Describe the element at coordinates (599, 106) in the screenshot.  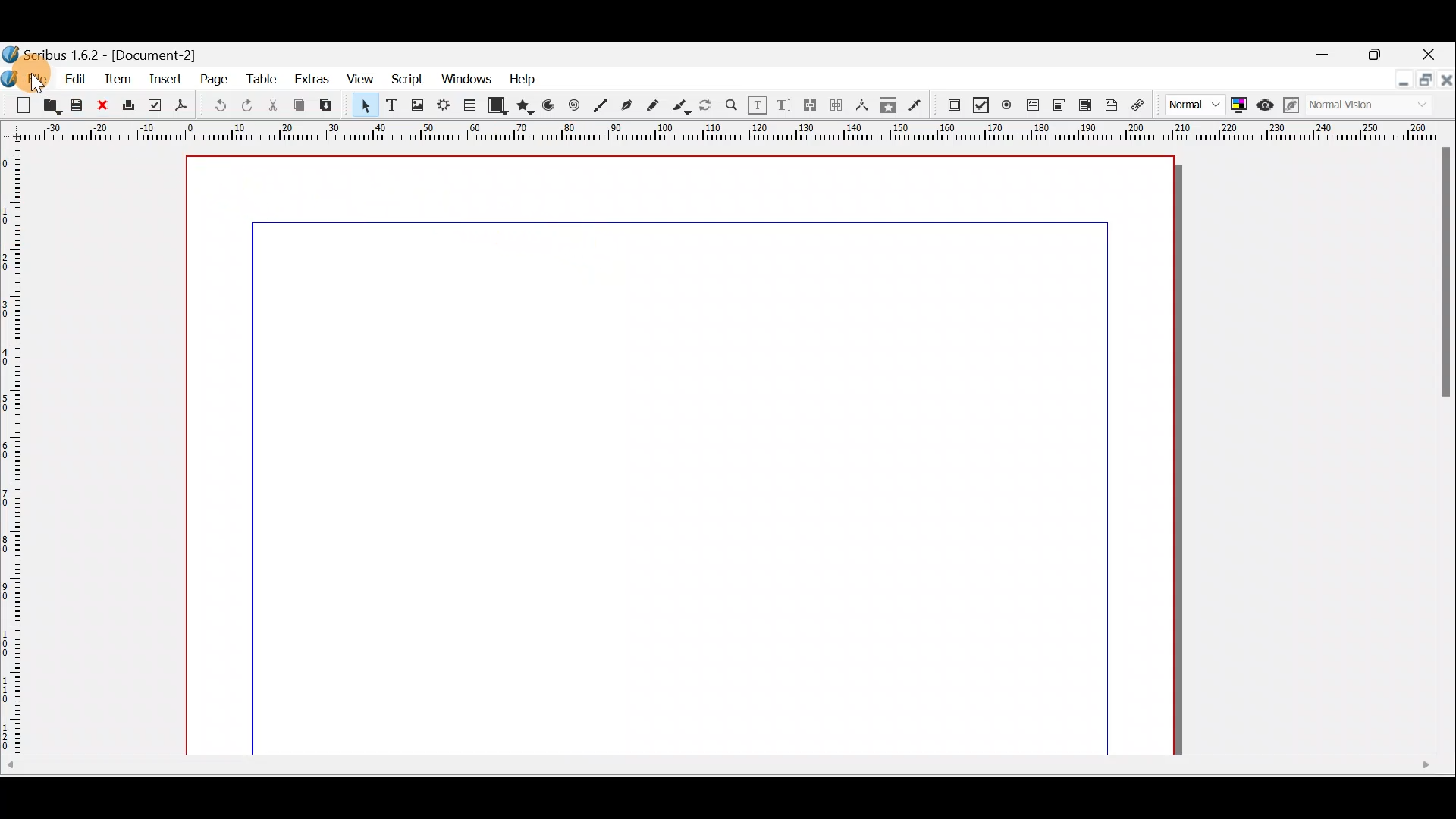
I see `Line` at that location.